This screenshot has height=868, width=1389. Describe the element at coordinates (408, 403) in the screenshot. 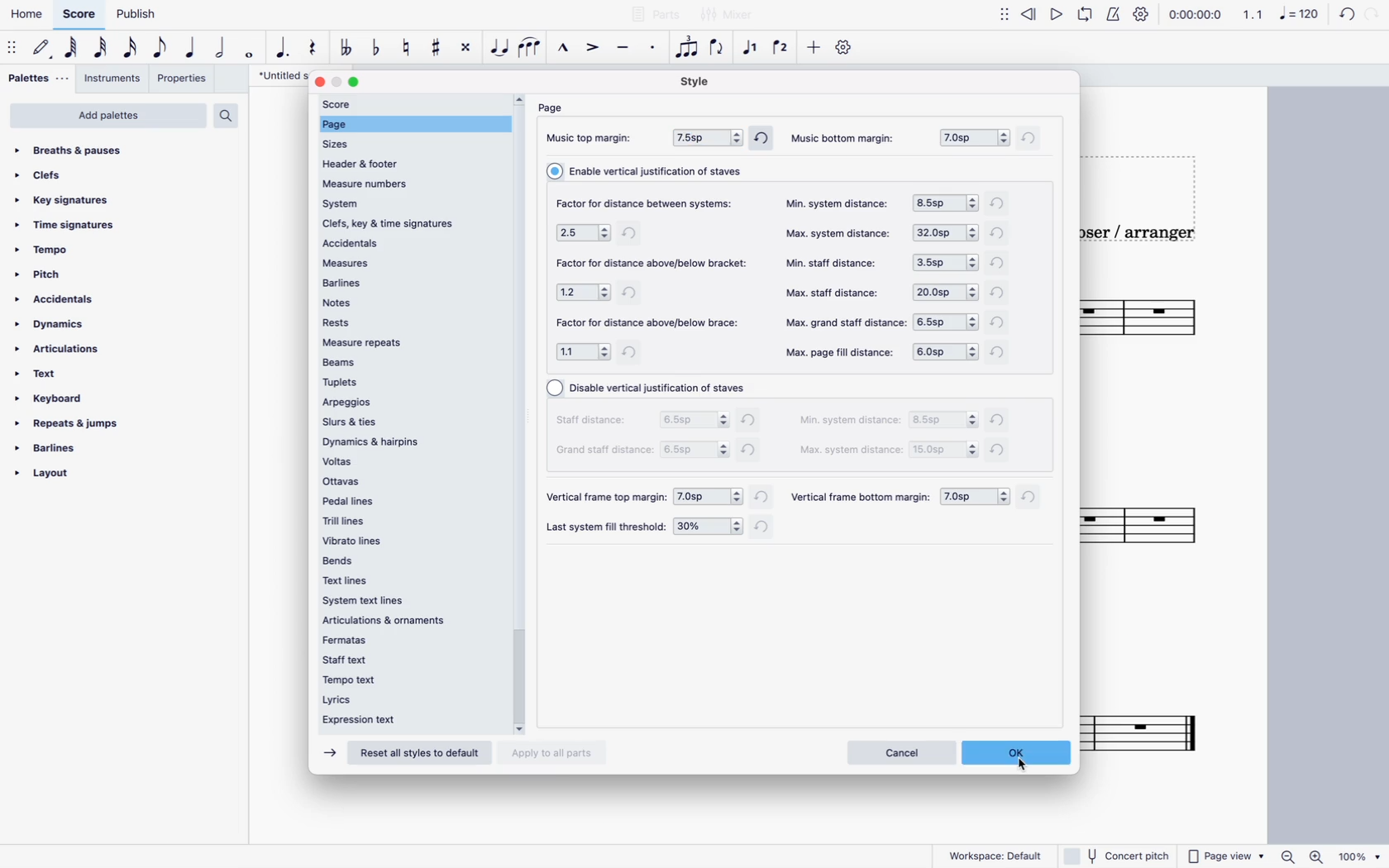

I see `arpeggios` at that location.